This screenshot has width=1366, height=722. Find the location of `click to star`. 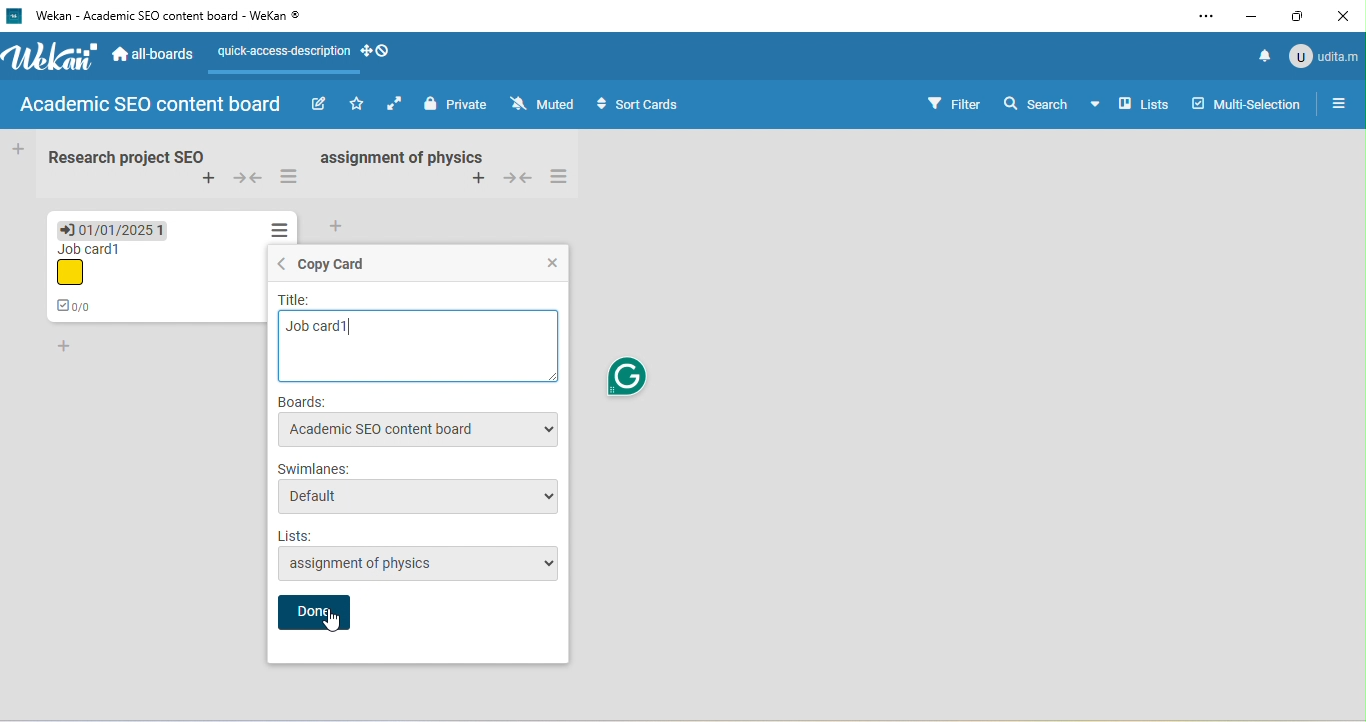

click to star is located at coordinates (357, 105).